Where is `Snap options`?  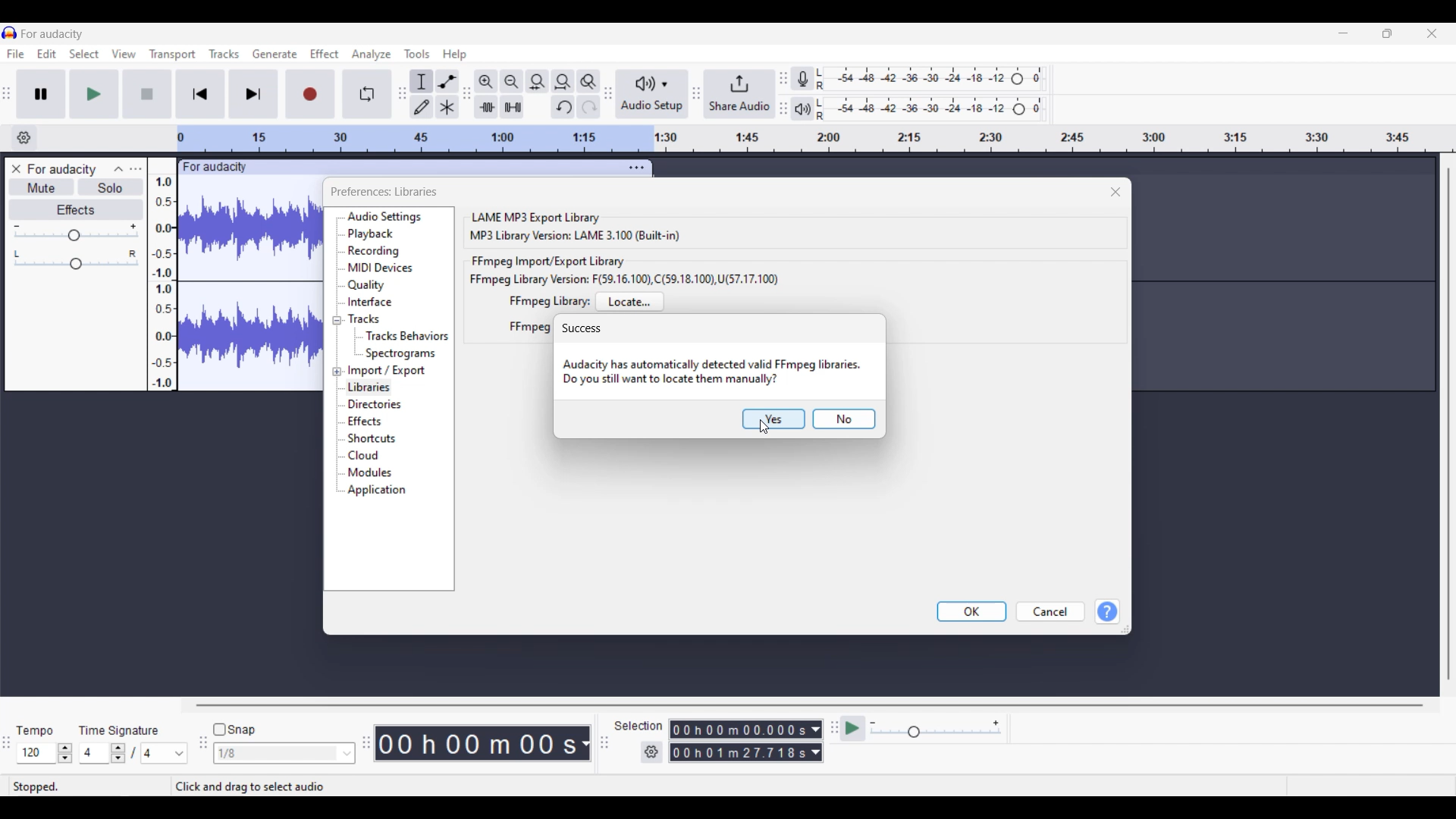
Snap options is located at coordinates (284, 754).